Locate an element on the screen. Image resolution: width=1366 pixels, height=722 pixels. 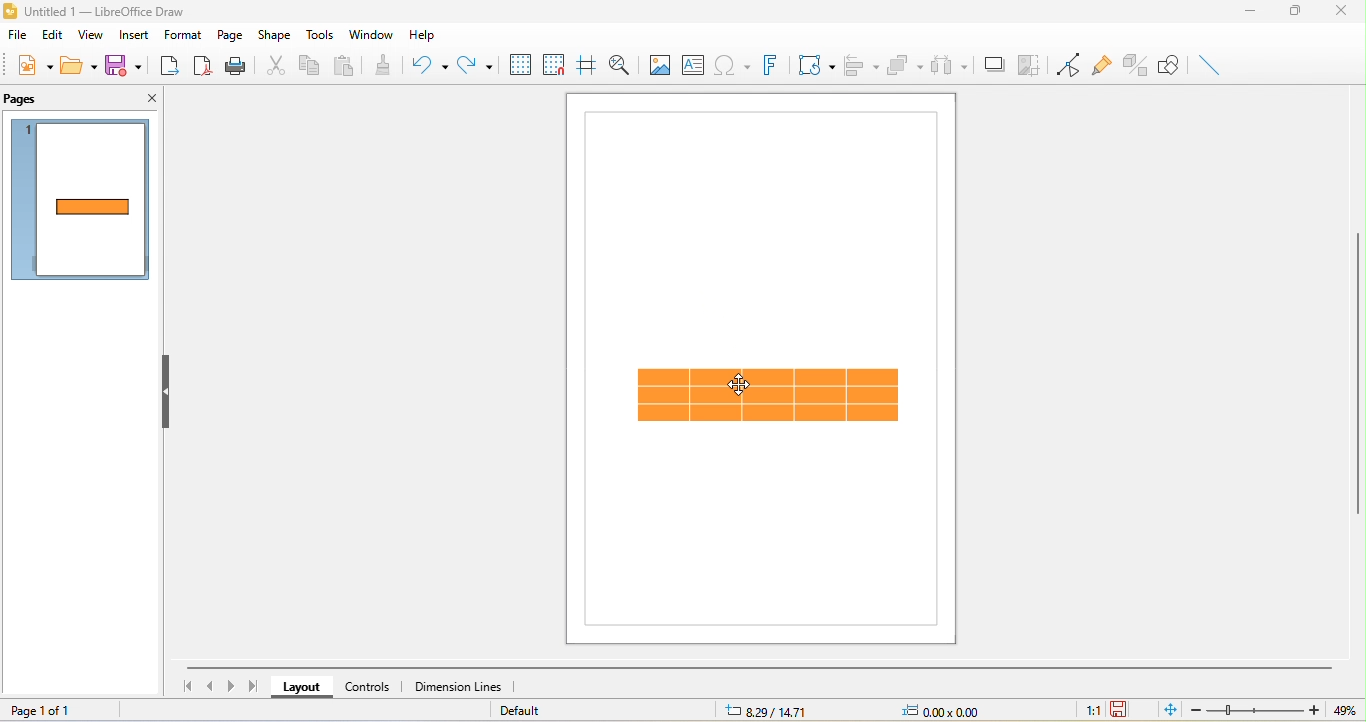
minimize is located at coordinates (1253, 14).